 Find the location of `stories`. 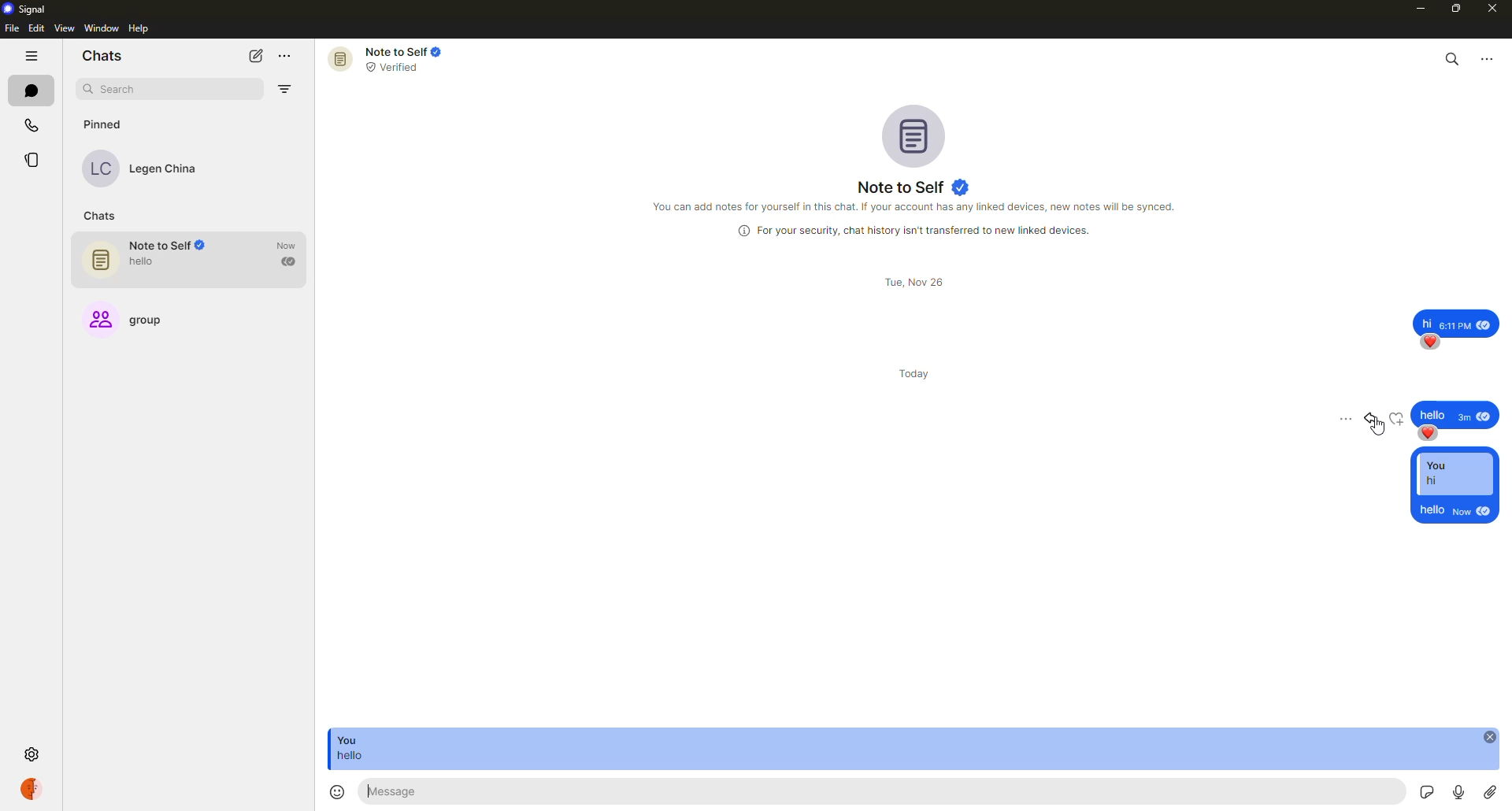

stories is located at coordinates (34, 158).